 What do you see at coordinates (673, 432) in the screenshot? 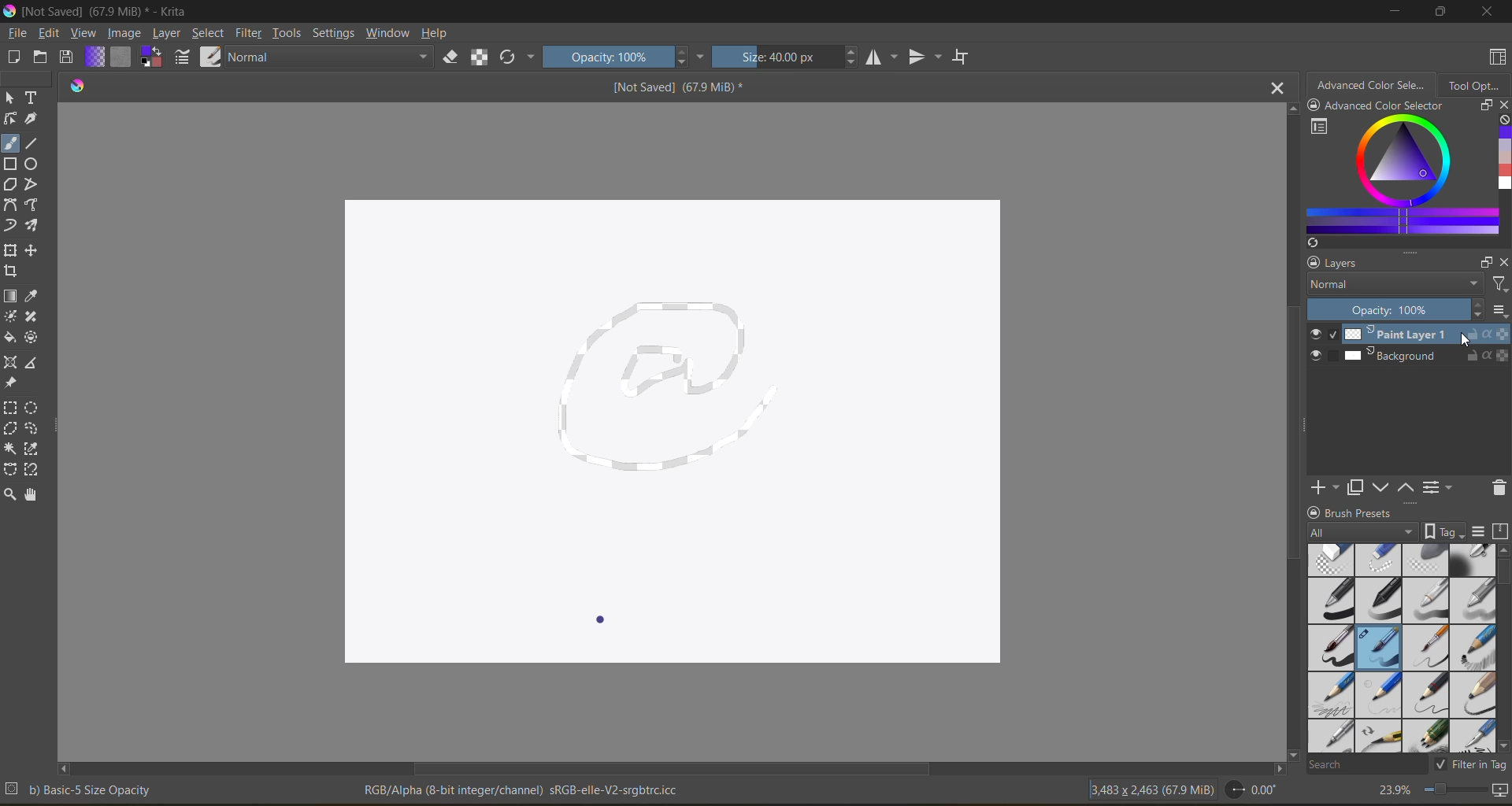
I see `canvas` at bounding box center [673, 432].